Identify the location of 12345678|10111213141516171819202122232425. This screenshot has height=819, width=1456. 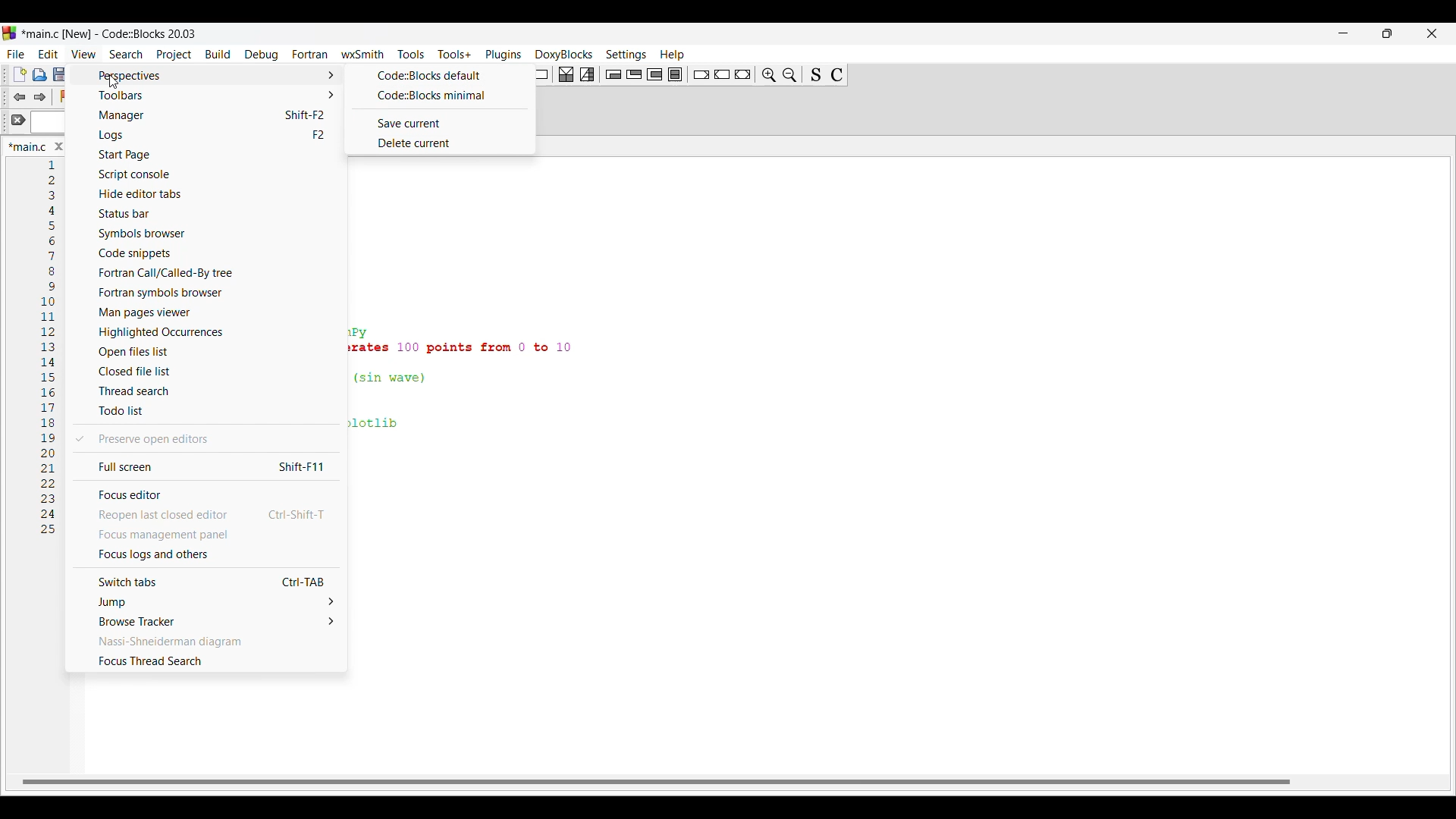
(48, 353).